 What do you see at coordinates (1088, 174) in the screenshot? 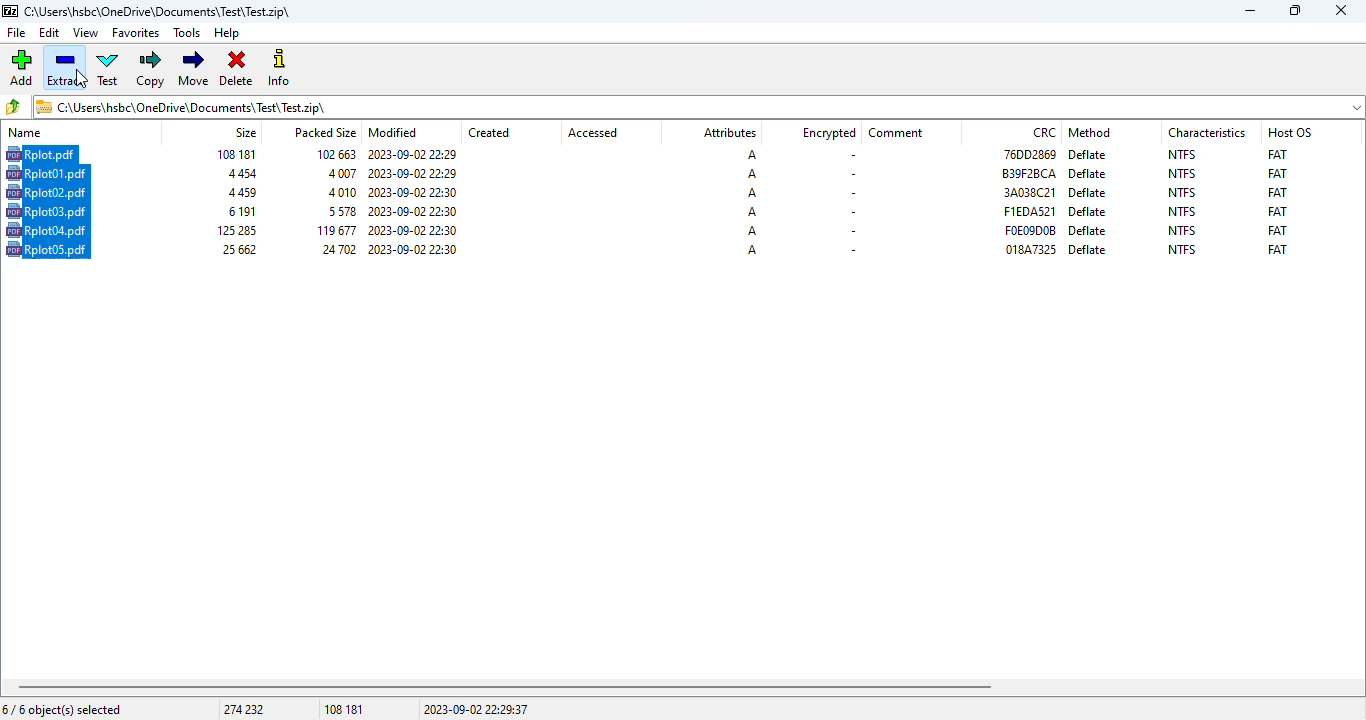
I see `deflate` at bounding box center [1088, 174].